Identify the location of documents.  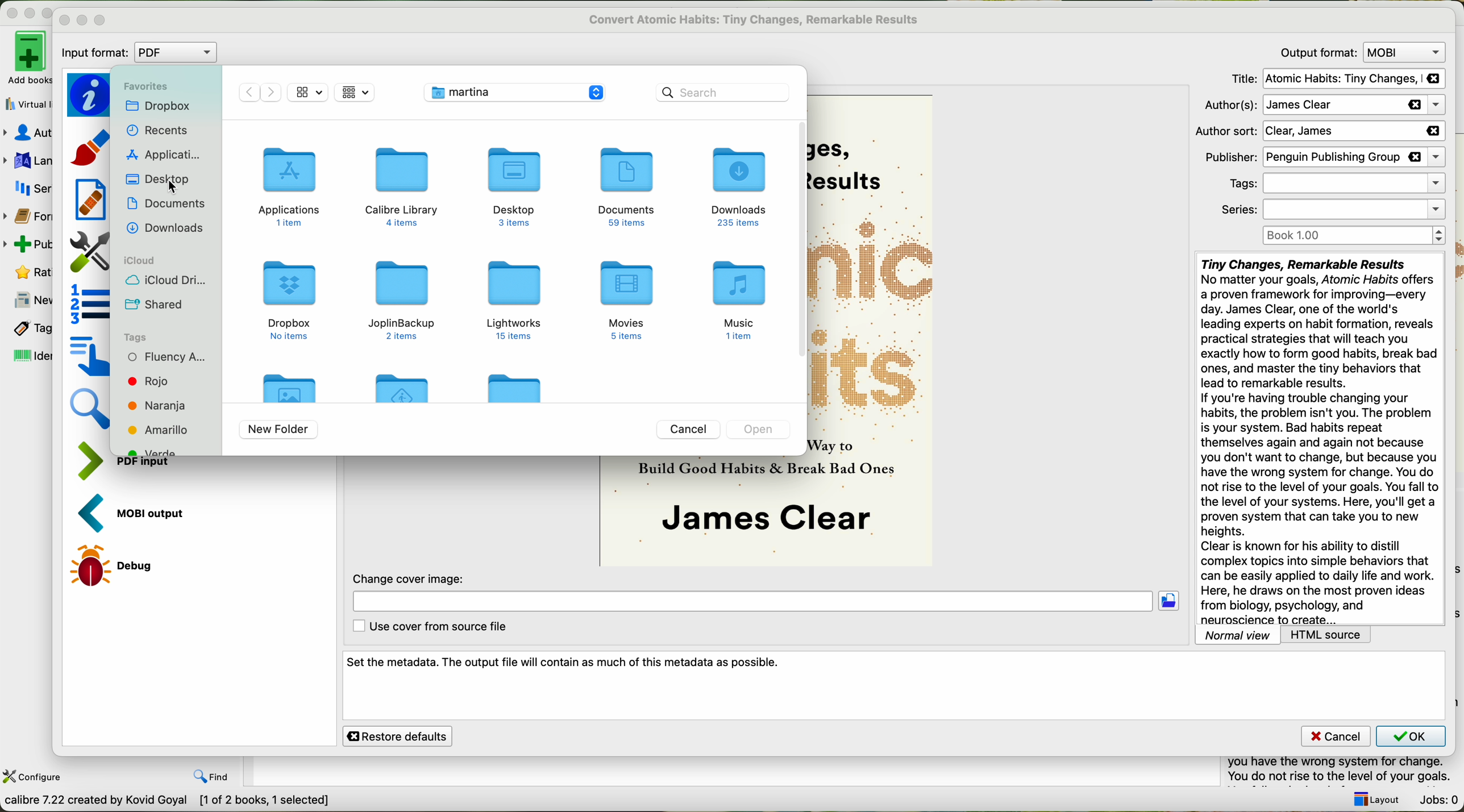
(627, 186).